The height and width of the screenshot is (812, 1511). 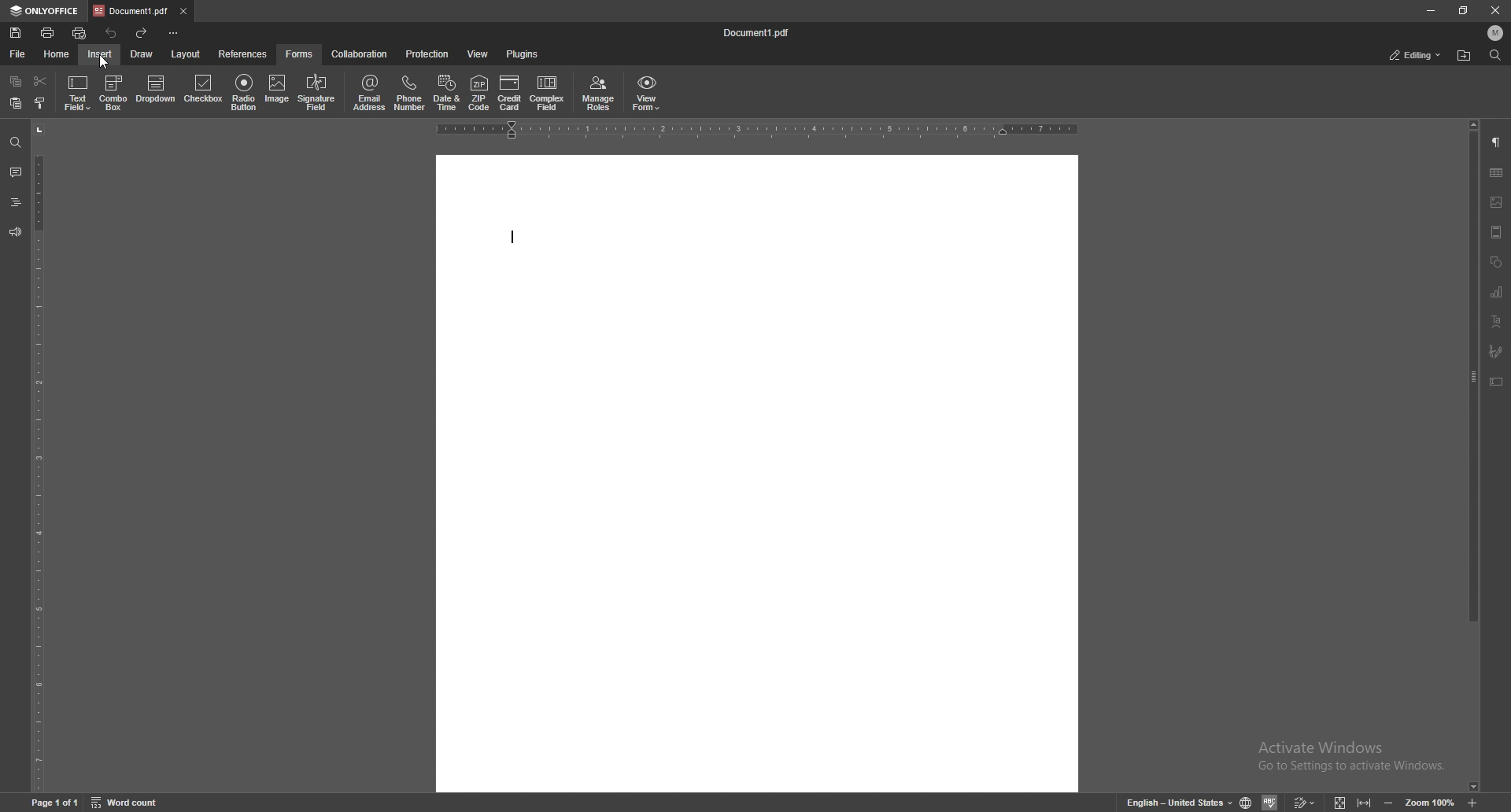 What do you see at coordinates (1494, 32) in the screenshot?
I see `profile` at bounding box center [1494, 32].